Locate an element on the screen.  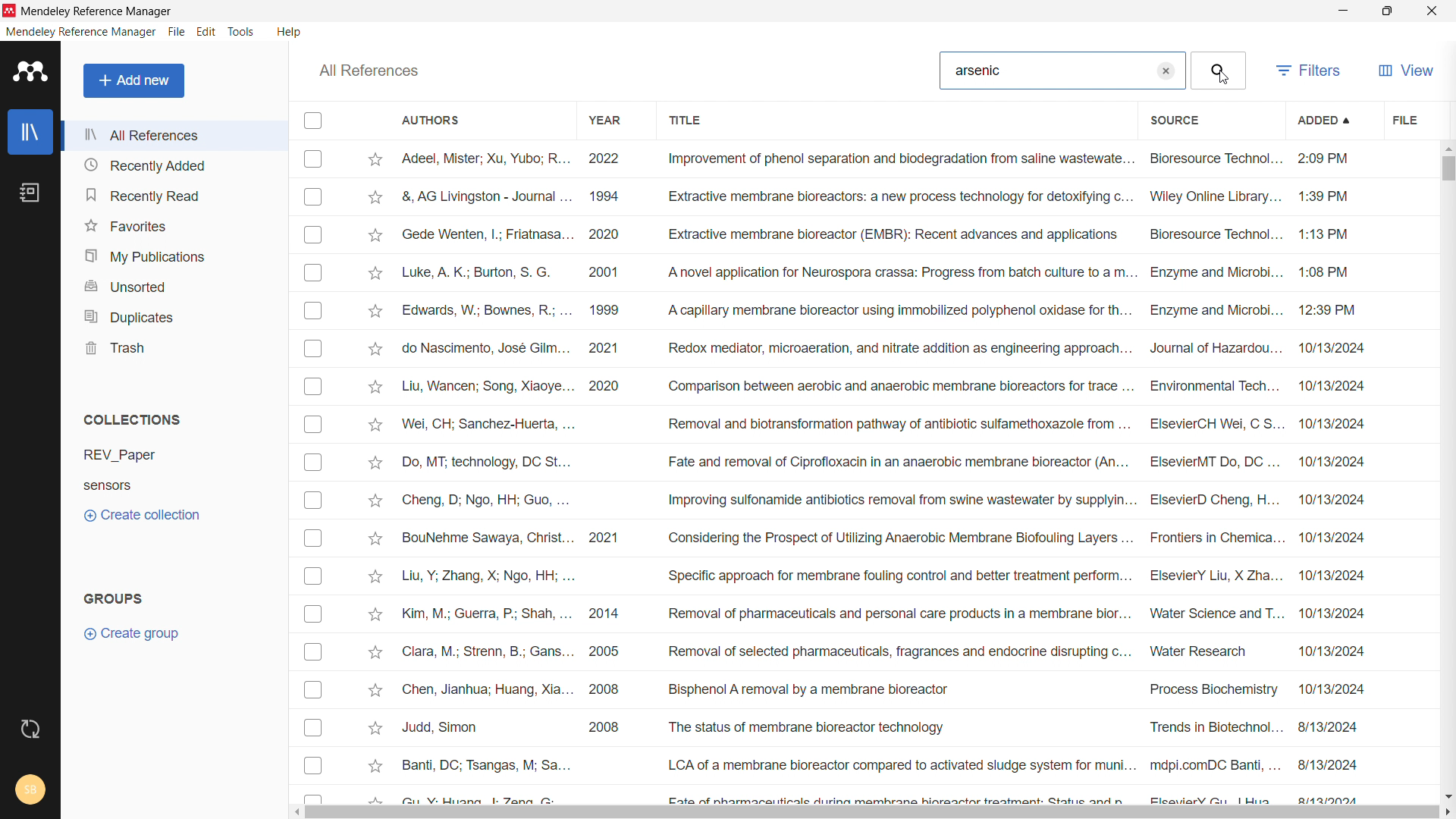
authors is located at coordinates (452, 121).